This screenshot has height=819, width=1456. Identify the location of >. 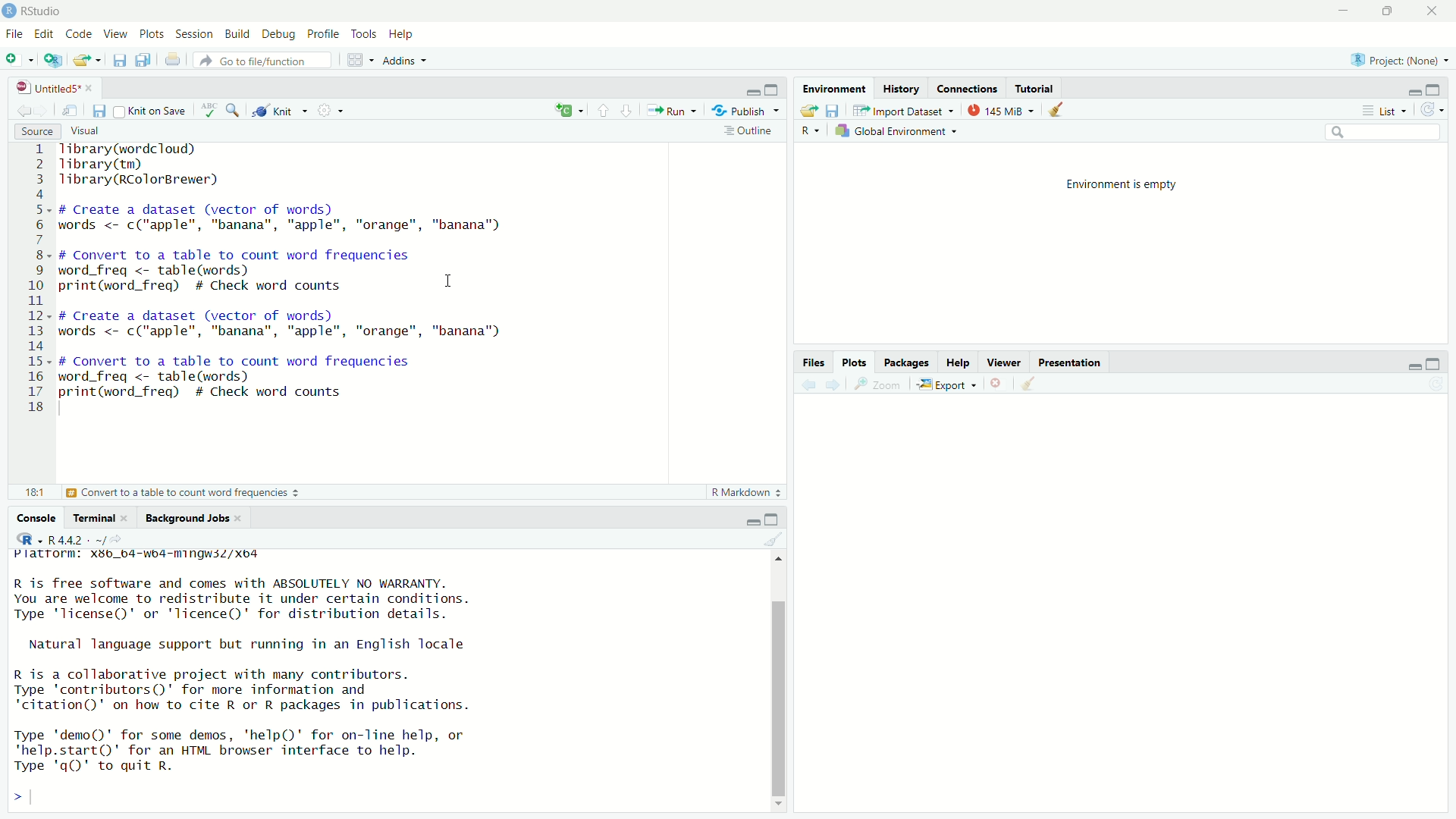
(22, 798).